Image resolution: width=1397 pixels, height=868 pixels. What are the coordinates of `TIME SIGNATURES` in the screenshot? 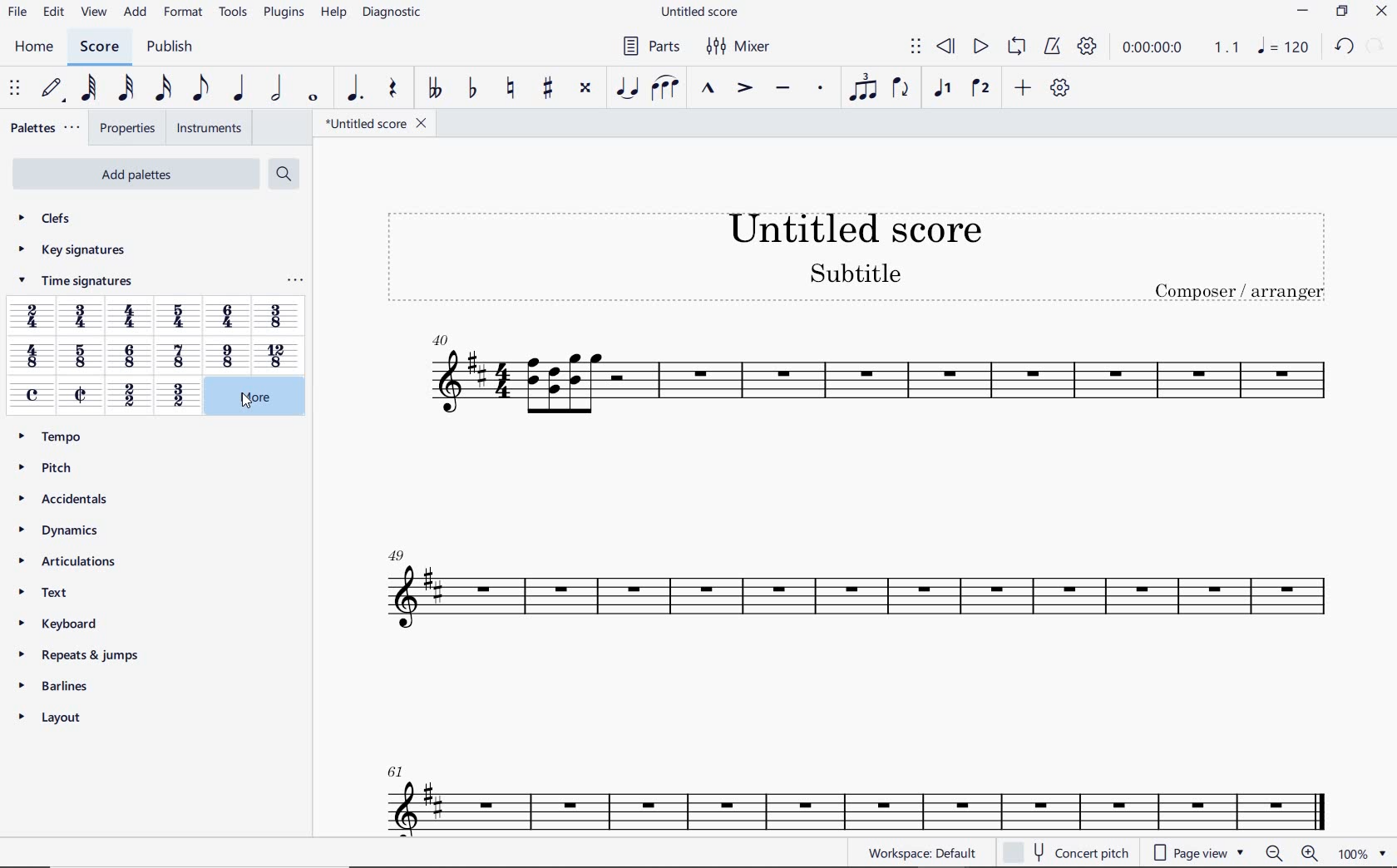 It's located at (74, 284).